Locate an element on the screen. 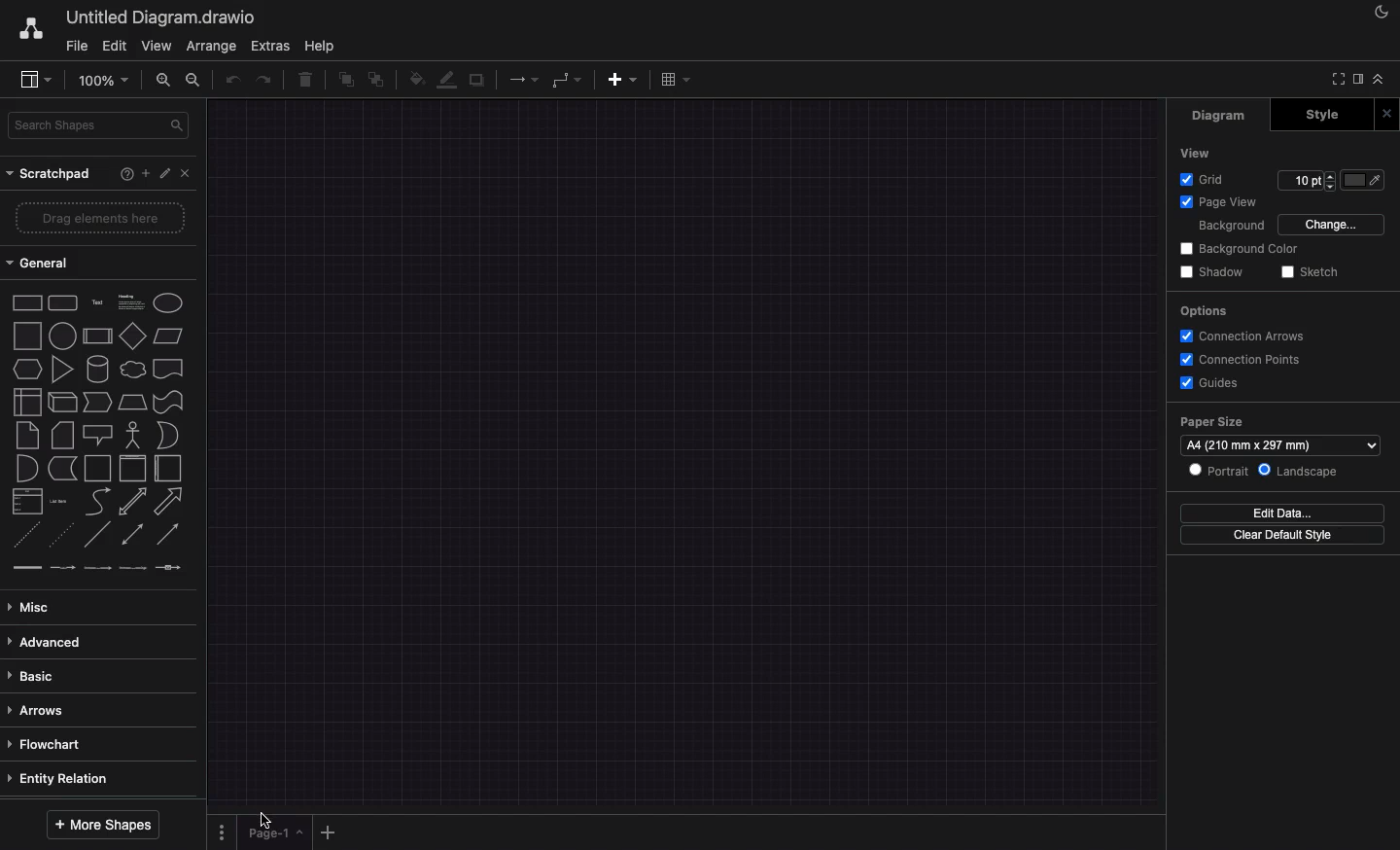 The image size is (1400, 850). line color is located at coordinates (447, 79).